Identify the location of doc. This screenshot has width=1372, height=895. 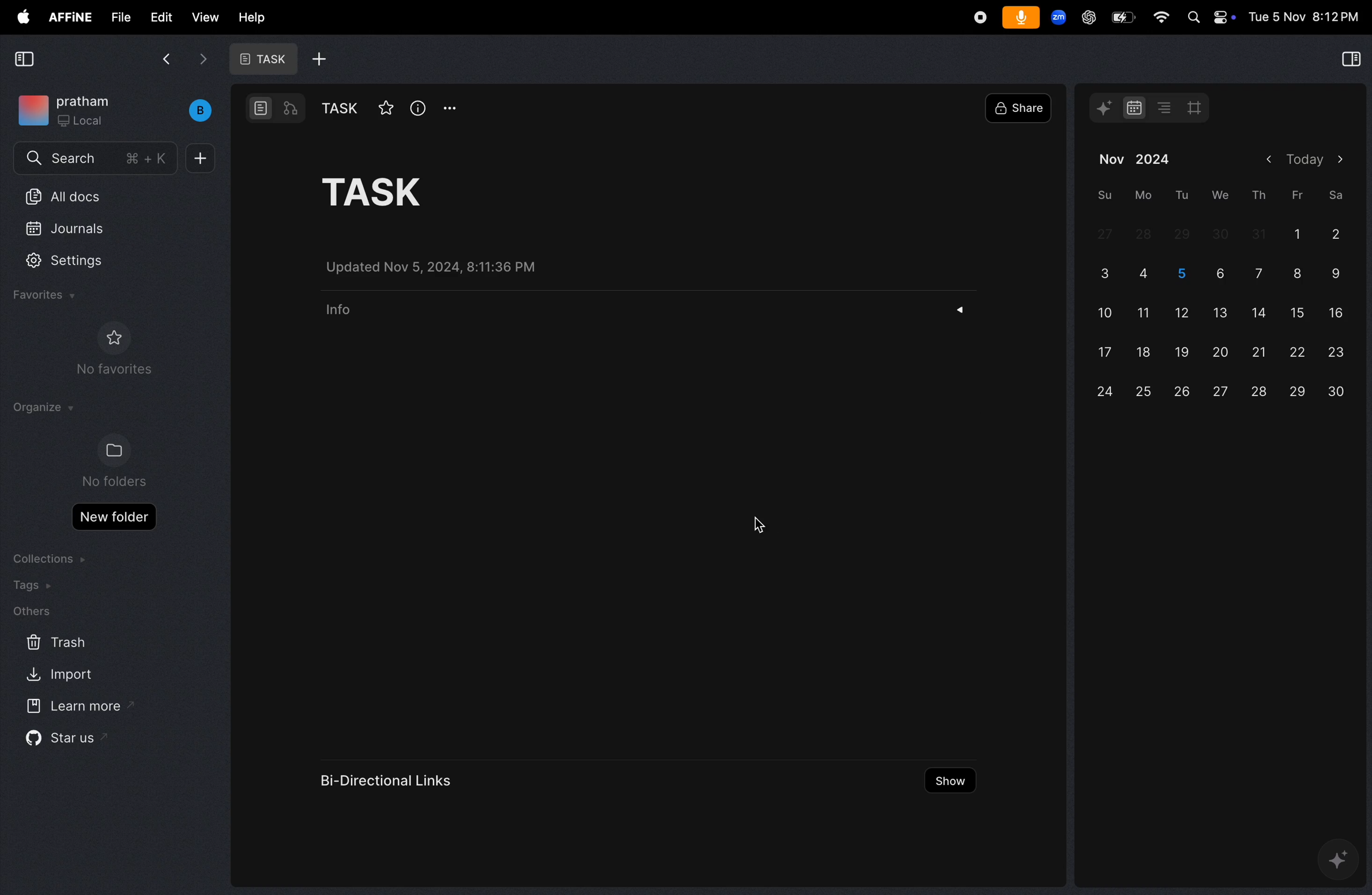
(262, 108).